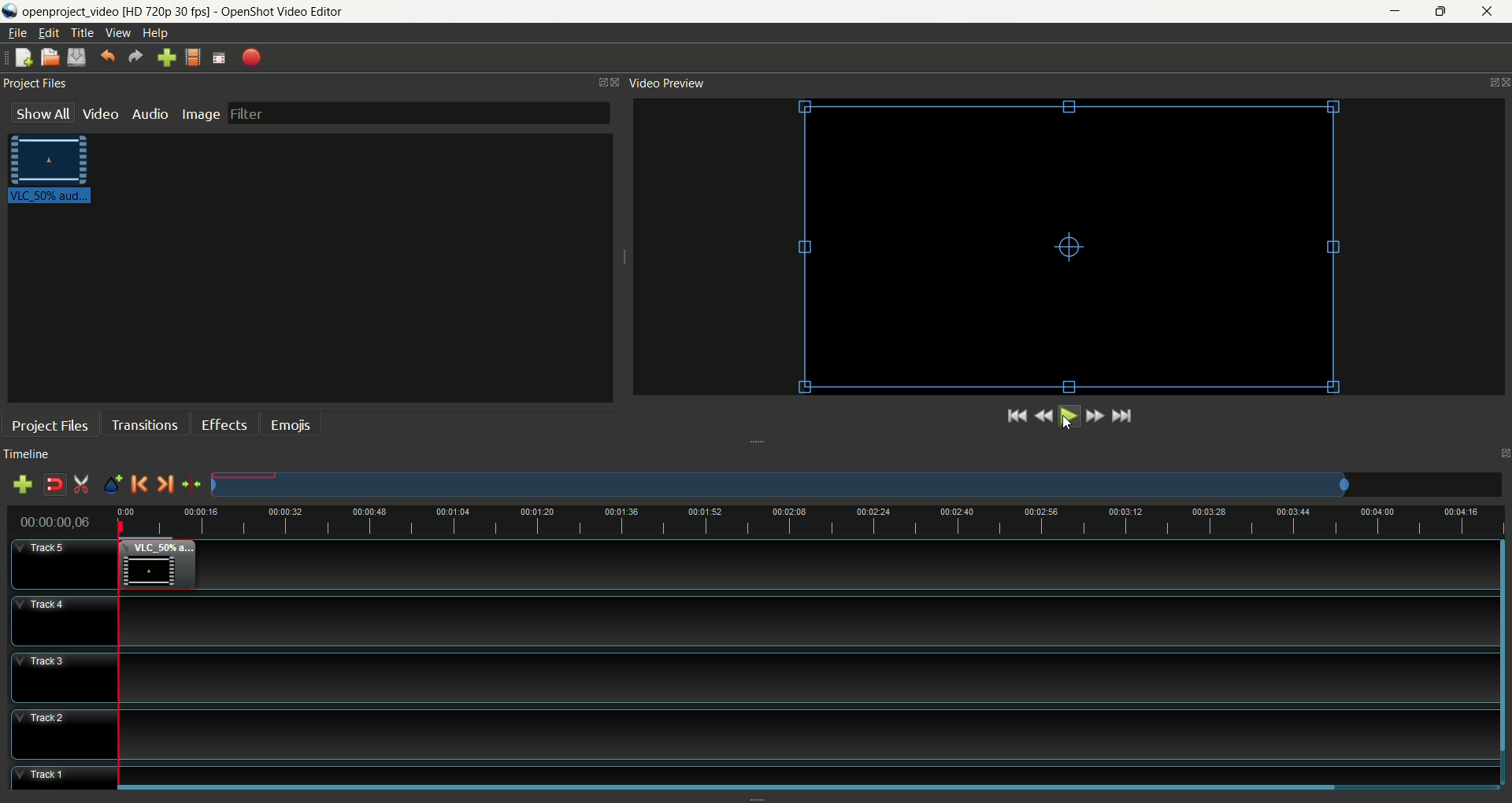 Image resolution: width=1512 pixels, height=803 pixels. What do you see at coordinates (64, 620) in the screenshot?
I see `track4` at bounding box center [64, 620].